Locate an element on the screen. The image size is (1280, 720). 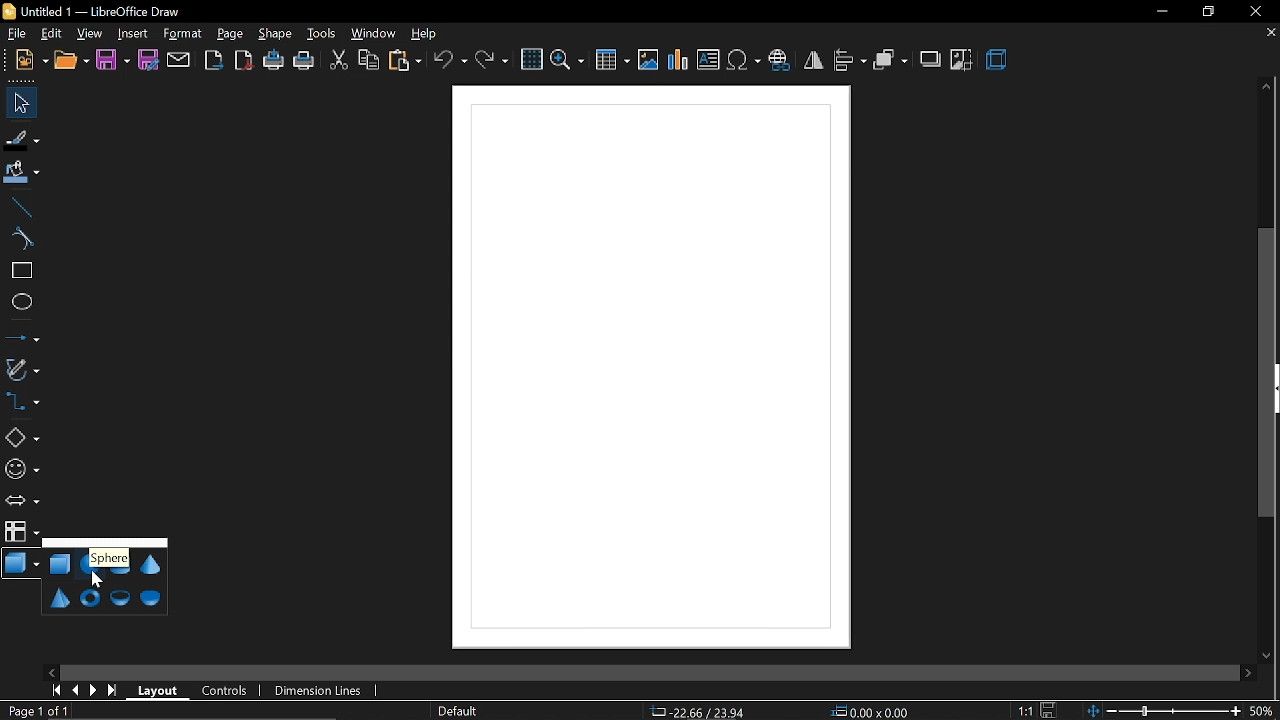
half sphere is located at coordinates (152, 597).